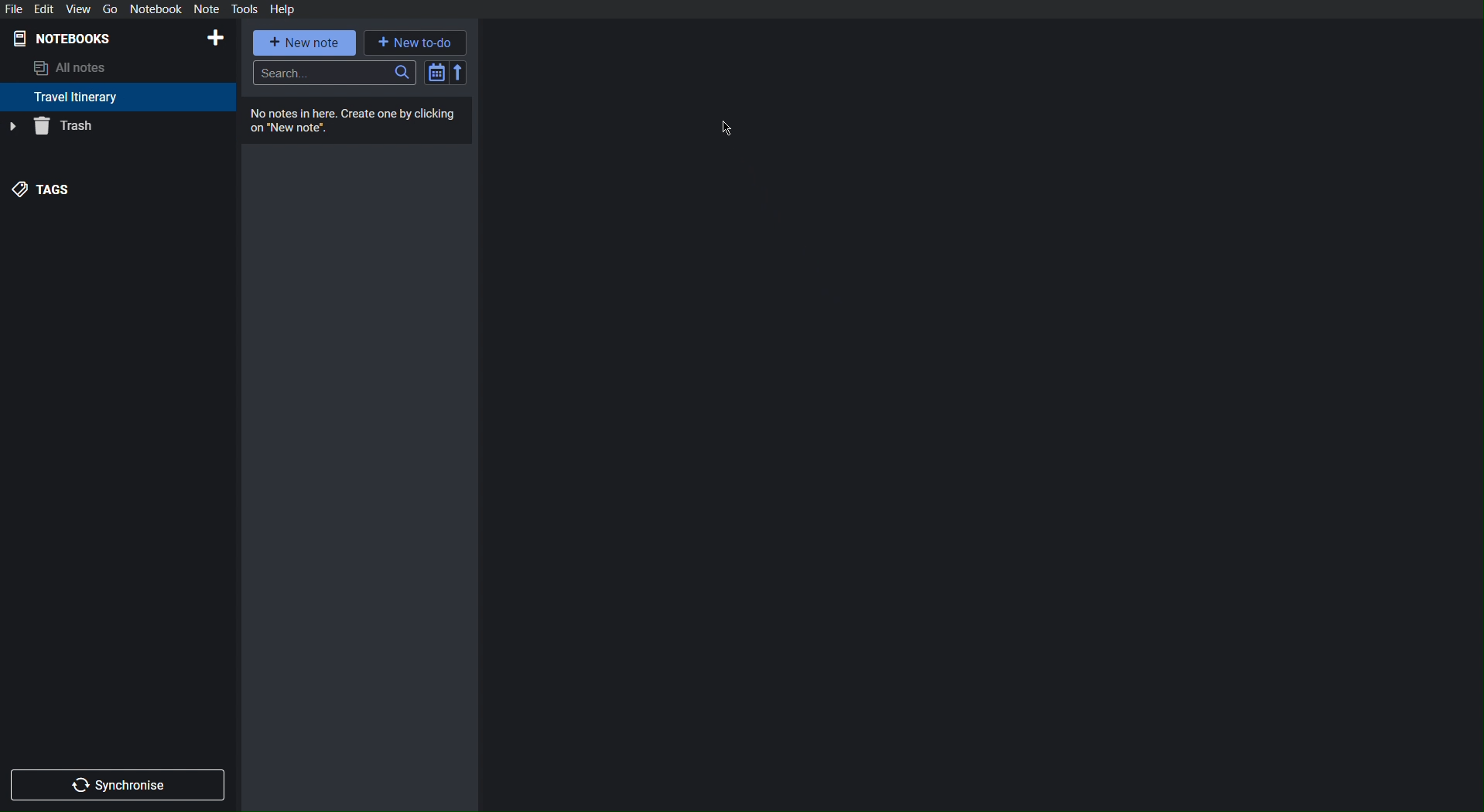 This screenshot has width=1484, height=812. Describe the element at coordinates (244, 9) in the screenshot. I see `Tools` at that location.